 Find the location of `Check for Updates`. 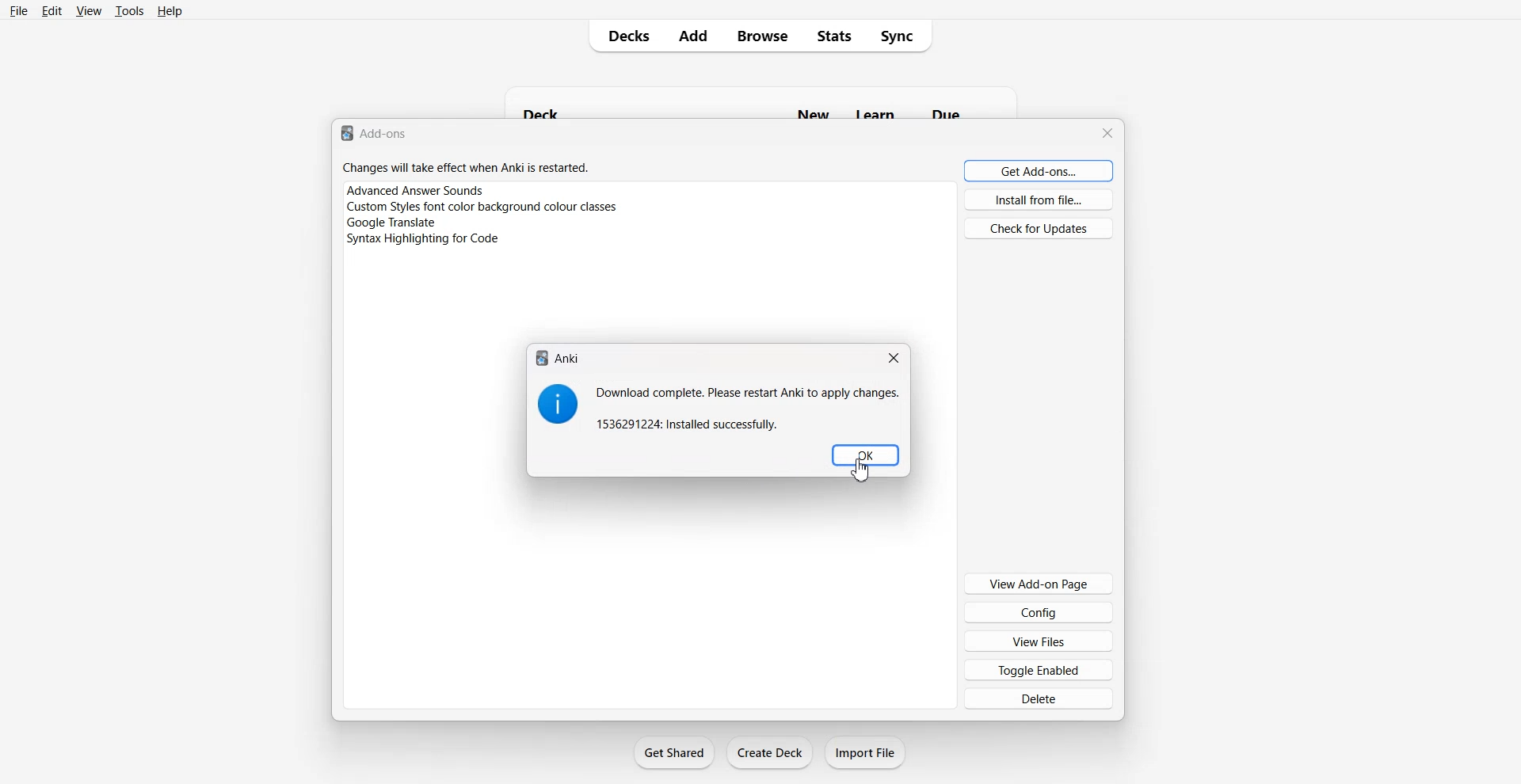

Check for Updates is located at coordinates (1038, 227).